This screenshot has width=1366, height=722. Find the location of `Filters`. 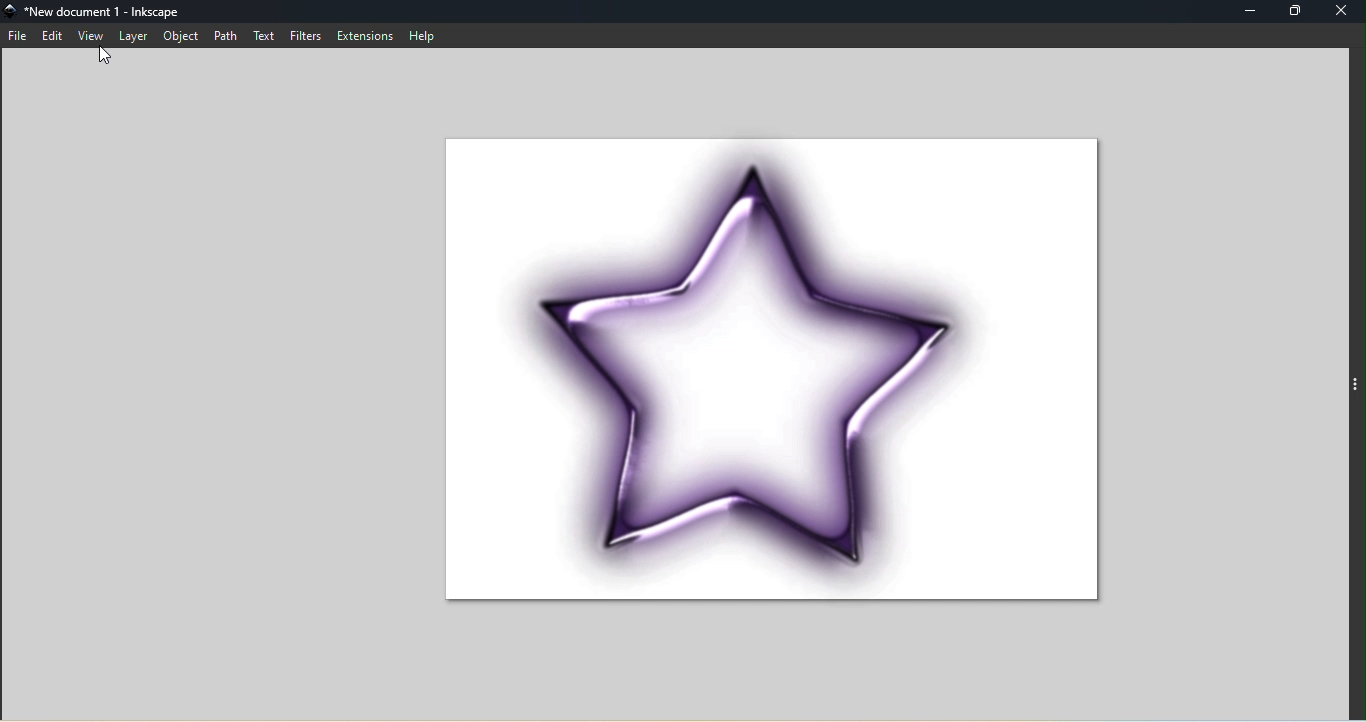

Filters is located at coordinates (305, 34).